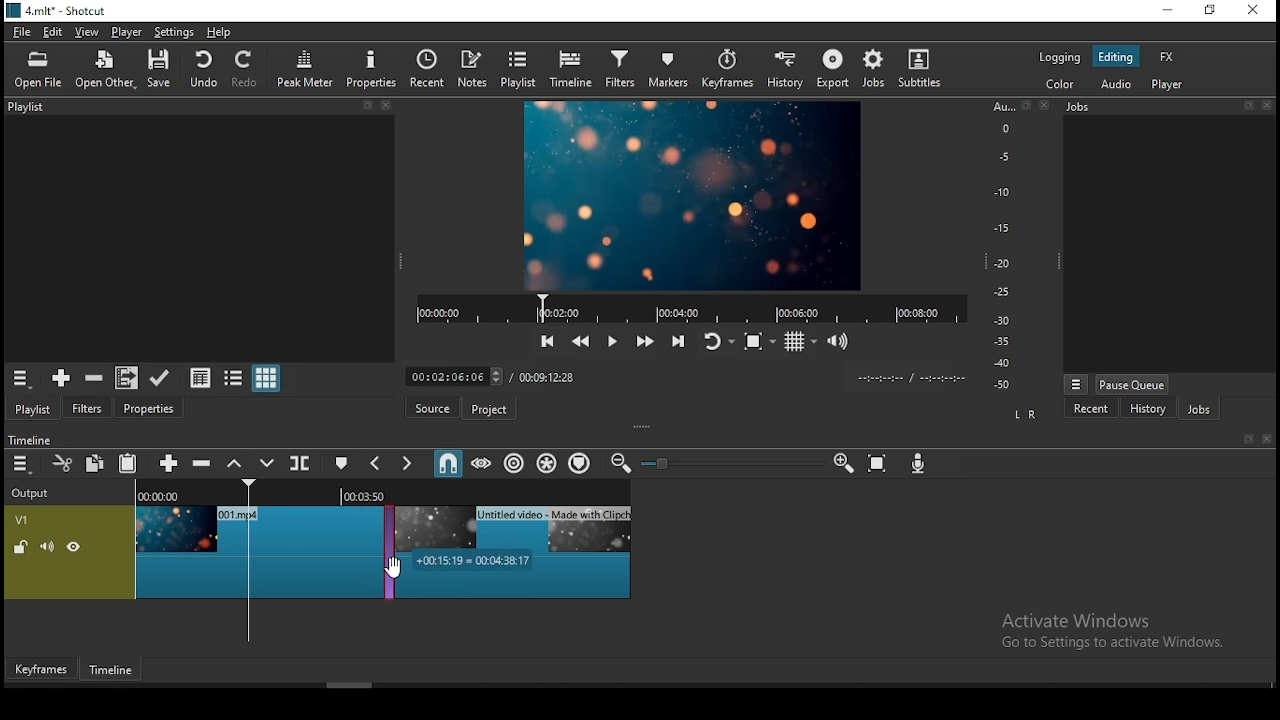  I want to click on close window, so click(1255, 10).